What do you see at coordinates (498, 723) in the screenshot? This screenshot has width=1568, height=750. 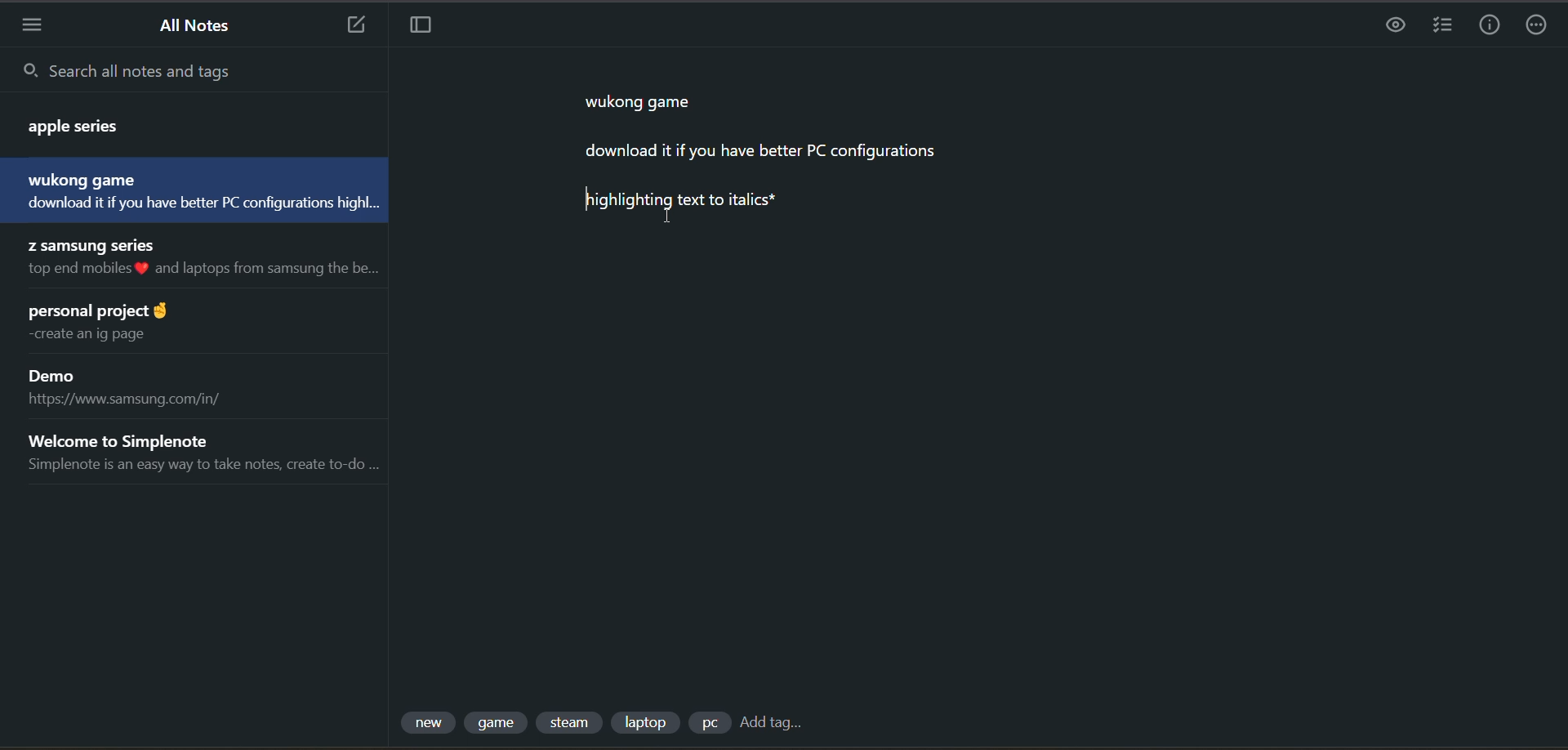 I see `tag 2` at bounding box center [498, 723].